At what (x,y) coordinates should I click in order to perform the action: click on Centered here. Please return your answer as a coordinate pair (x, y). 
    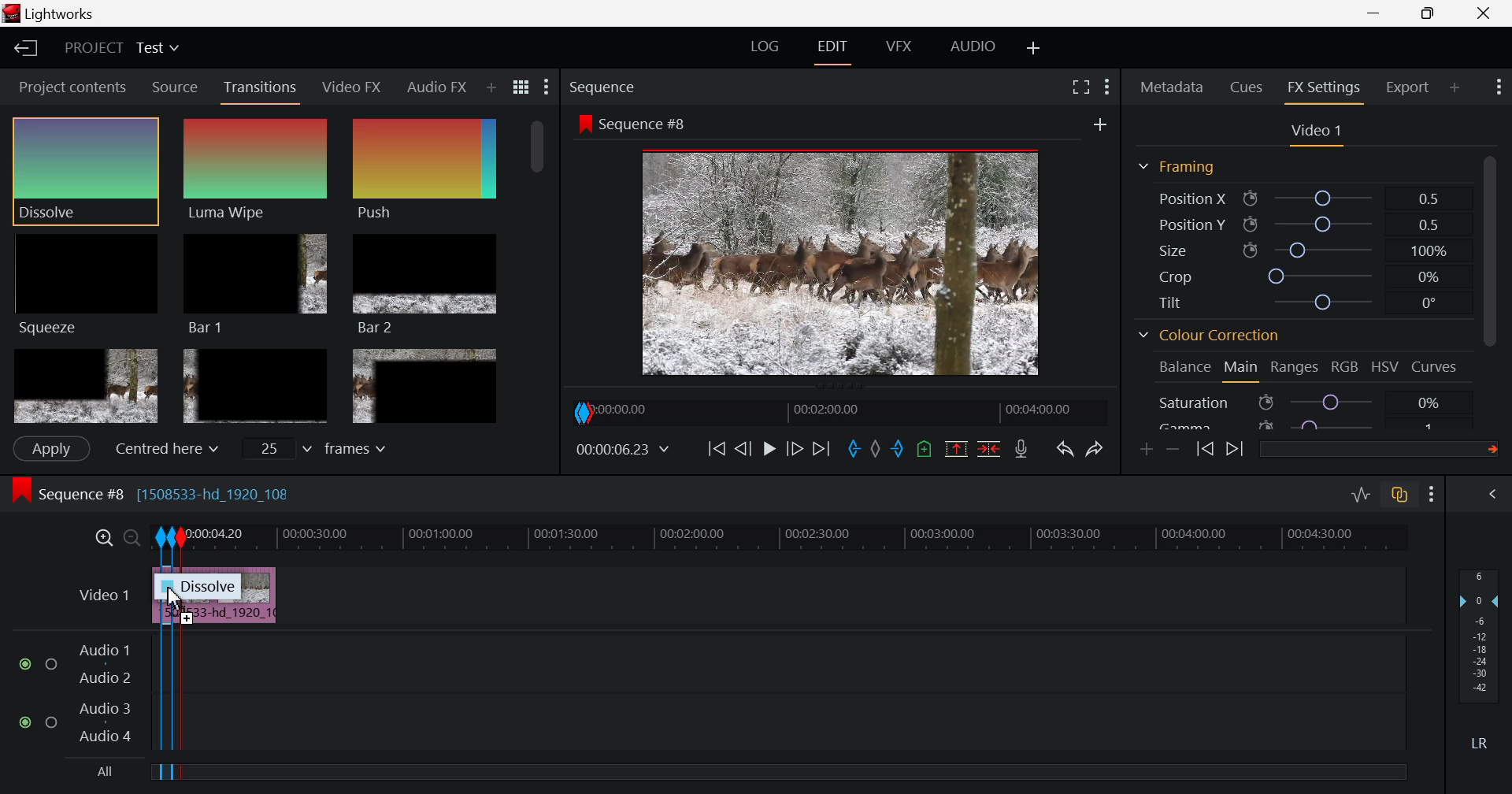
    Looking at the image, I should click on (162, 449).